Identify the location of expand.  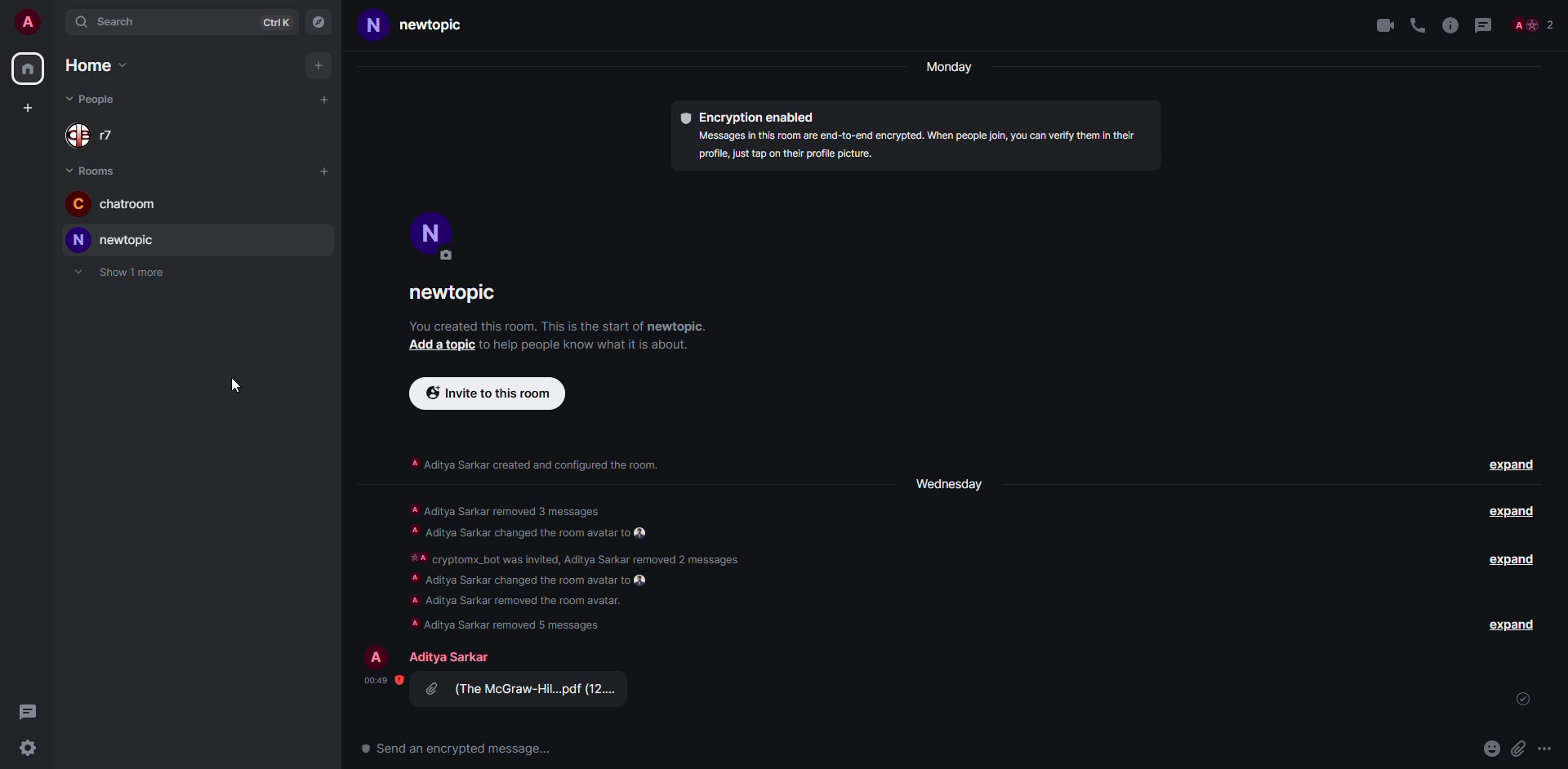
(1512, 560).